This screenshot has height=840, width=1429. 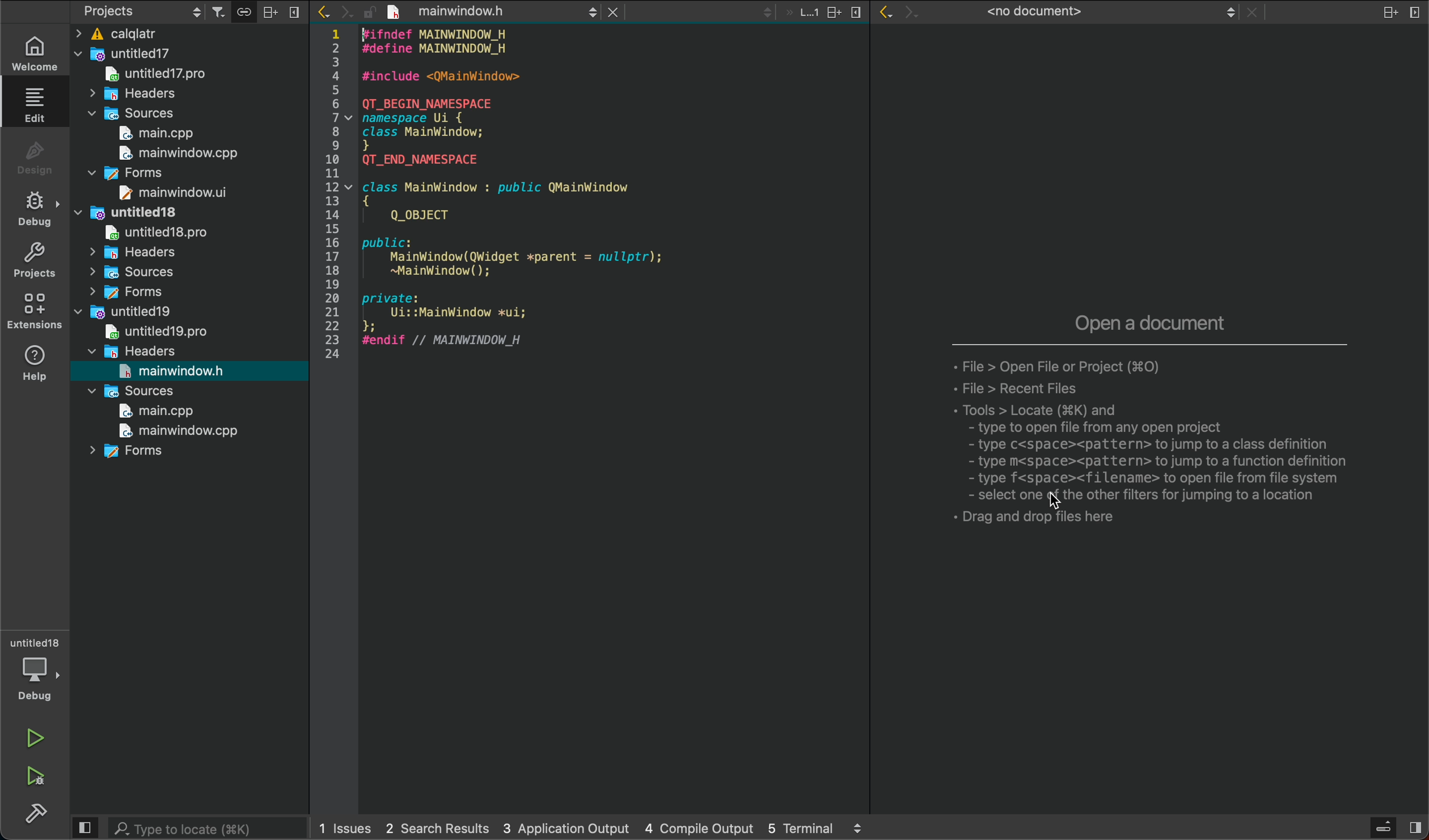 I want to click on build, so click(x=40, y=816).